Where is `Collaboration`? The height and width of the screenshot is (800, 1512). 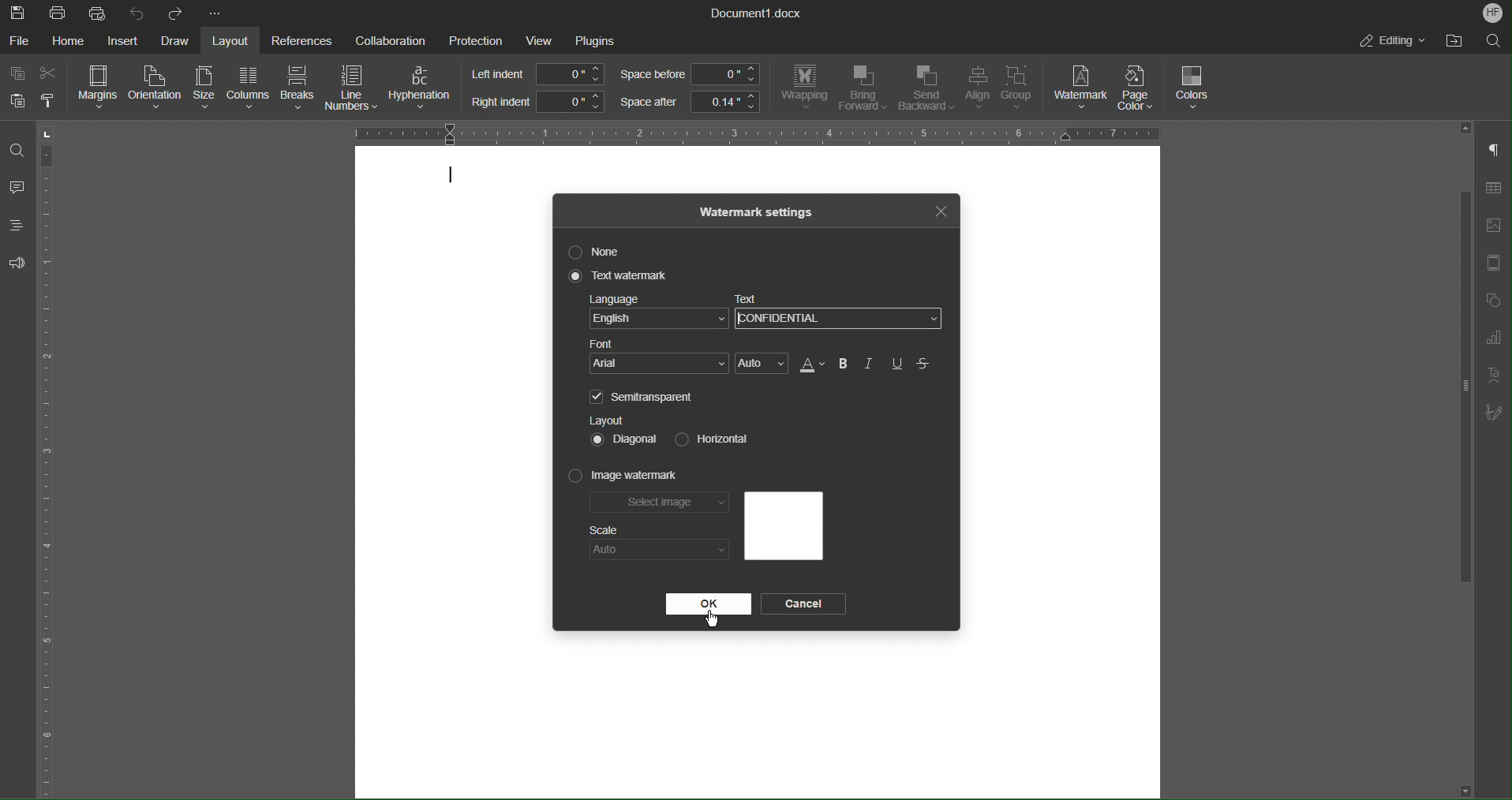 Collaboration is located at coordinates (386, 39).